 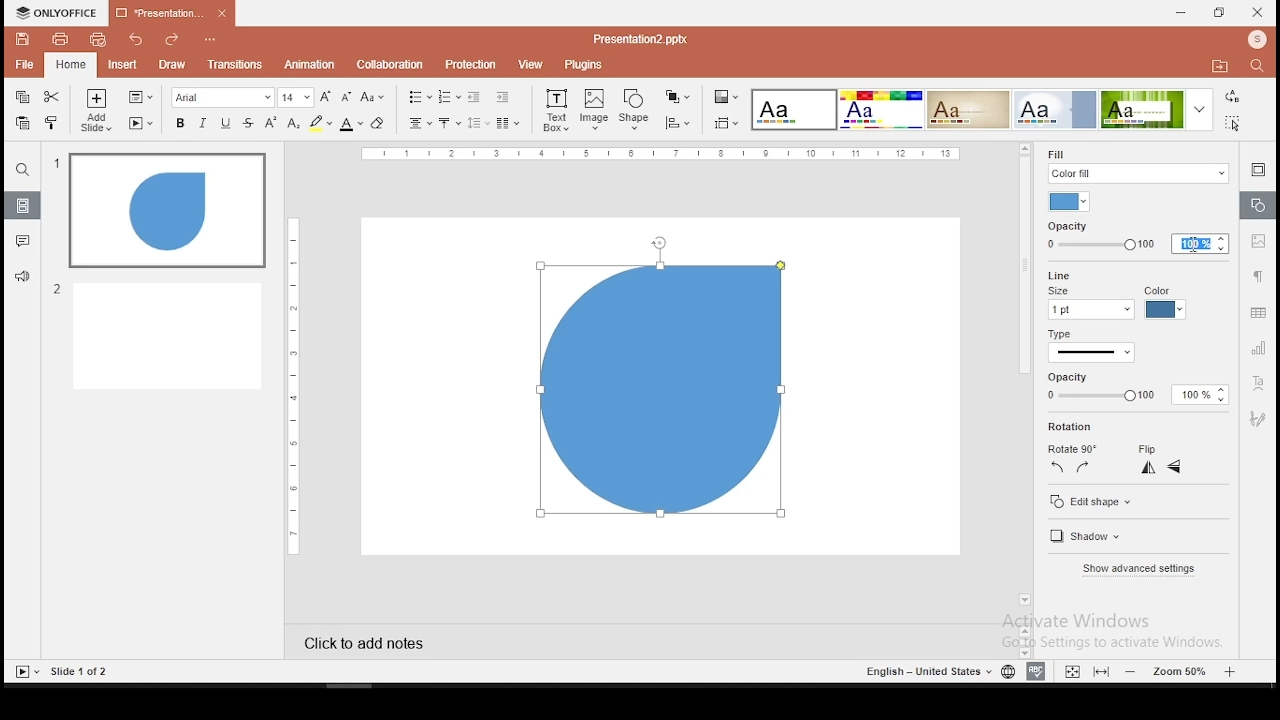 I want to click on slide settings, so click(x=1256, y=169).